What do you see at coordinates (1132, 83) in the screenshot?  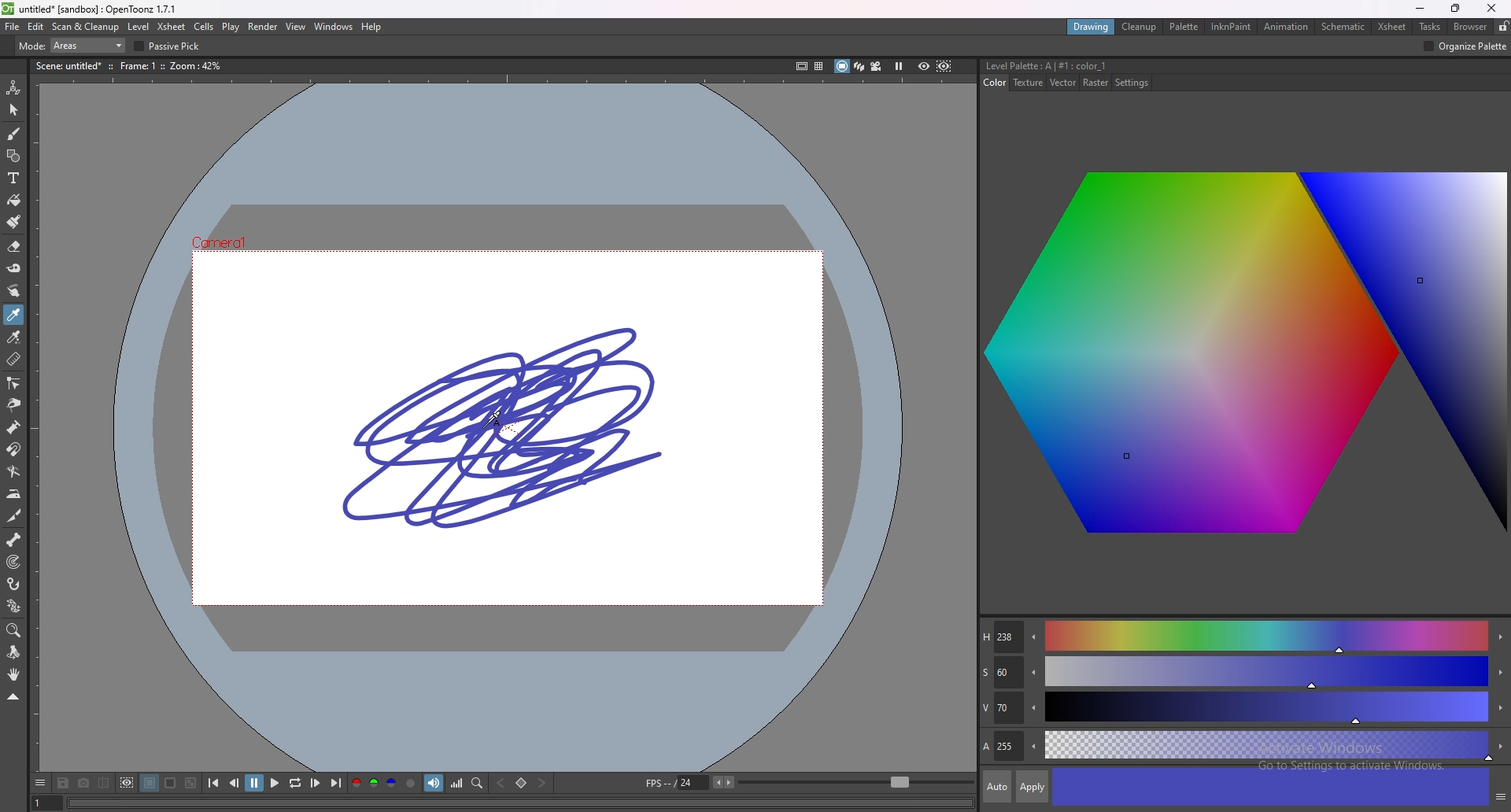 I see `settings` at bounding box center [1132, 83].